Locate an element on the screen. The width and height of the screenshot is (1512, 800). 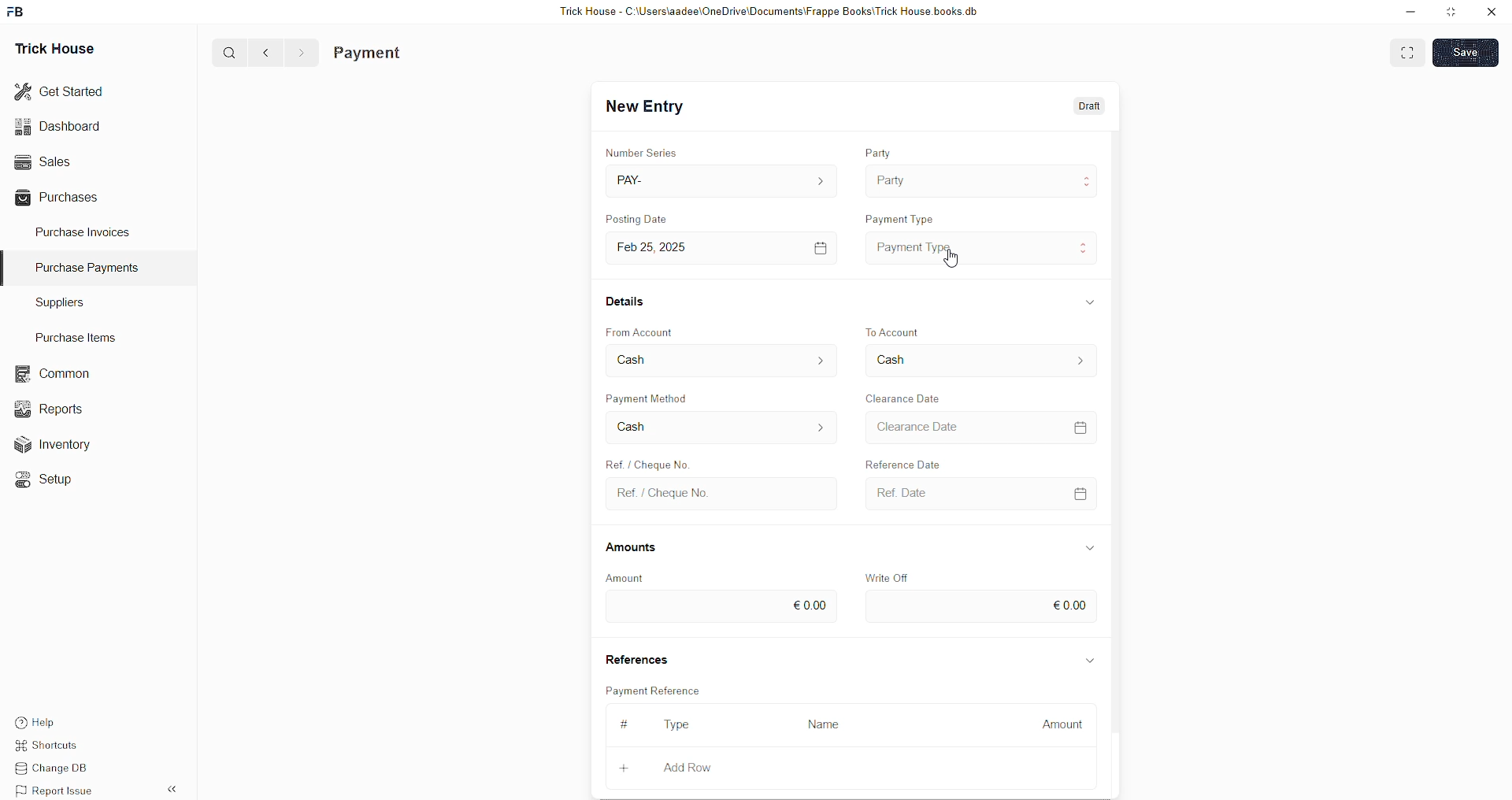
Inventory is located at coordinates (61, 448).